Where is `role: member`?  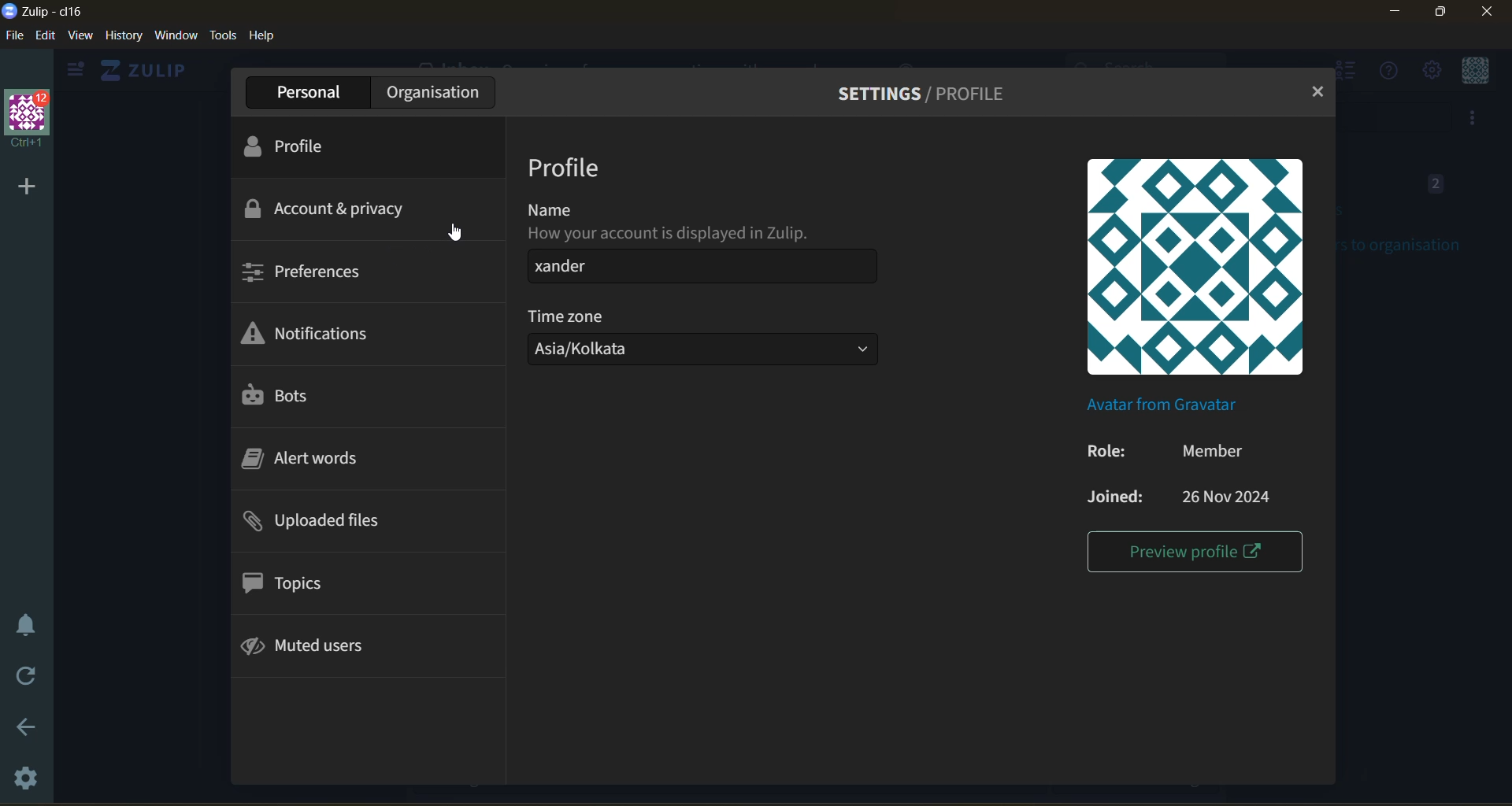
role: member is located at coordinates (1176, 453).